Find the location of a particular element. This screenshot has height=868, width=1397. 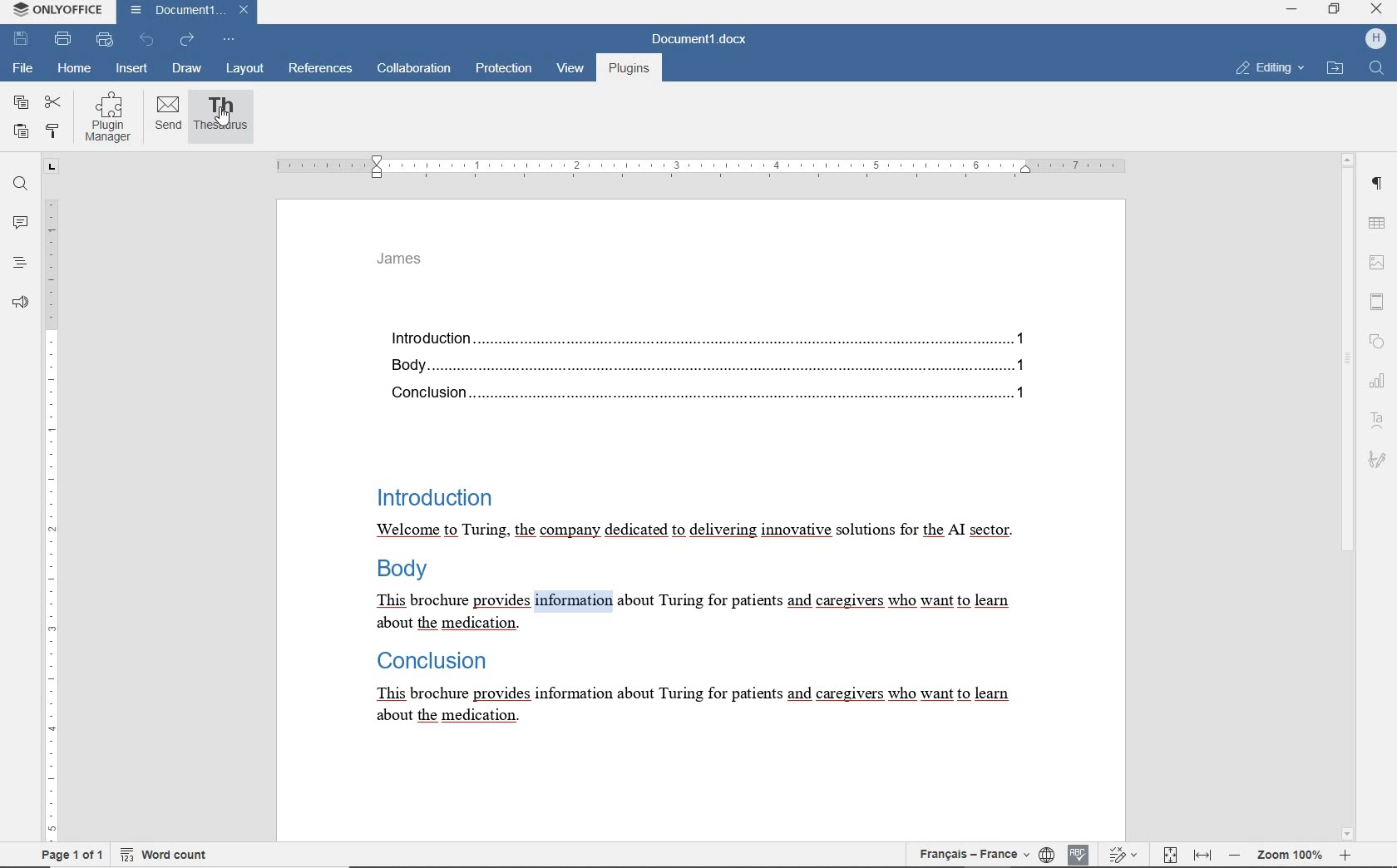

PAGE 1 OF 1 is located at coordinates (69, 856).